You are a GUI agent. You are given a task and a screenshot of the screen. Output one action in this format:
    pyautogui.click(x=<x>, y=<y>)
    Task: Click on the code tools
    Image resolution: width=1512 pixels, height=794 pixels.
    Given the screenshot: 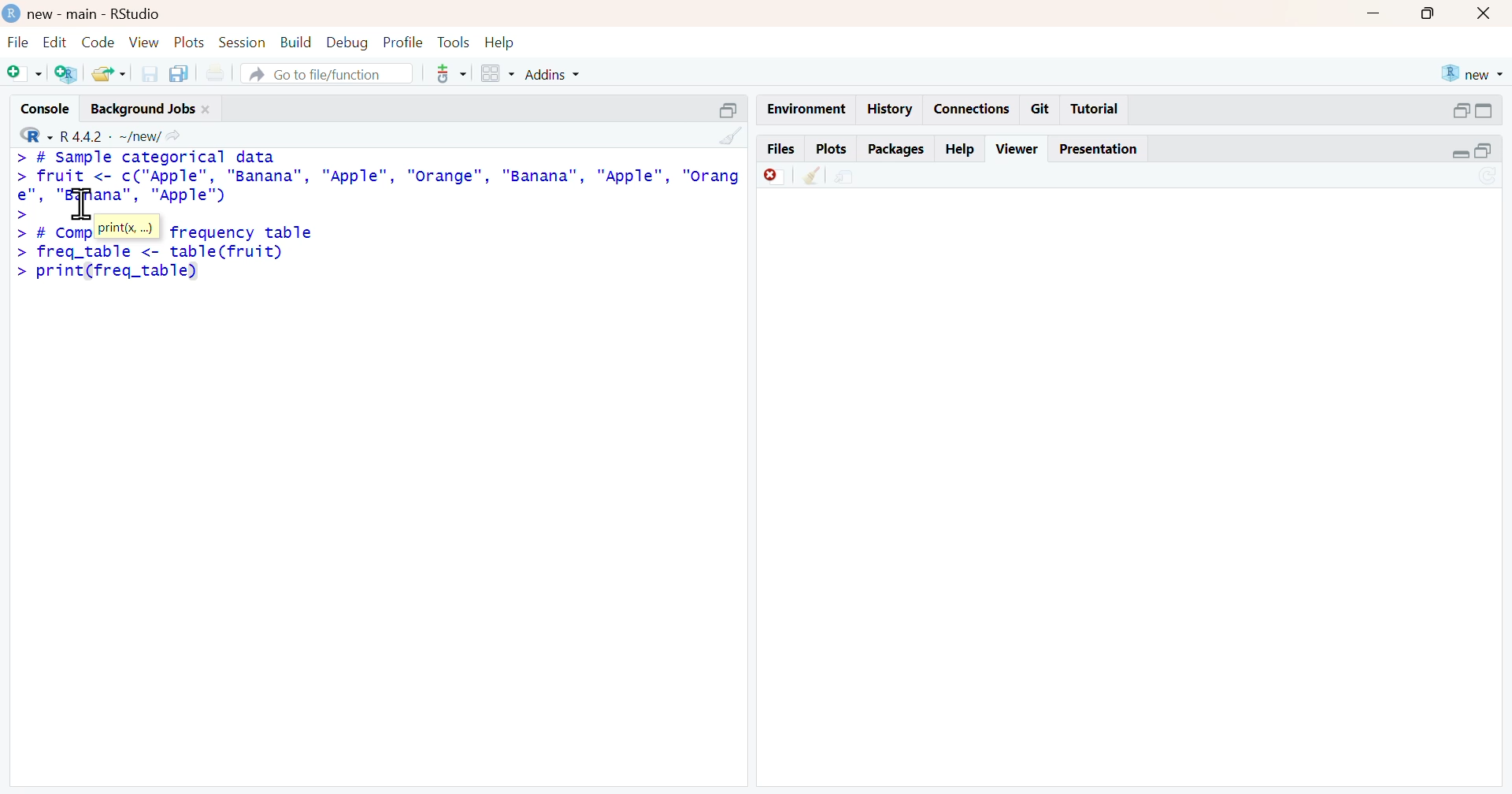 What is the action you would take?
    pyautogui.click(x=450, y=74)
    